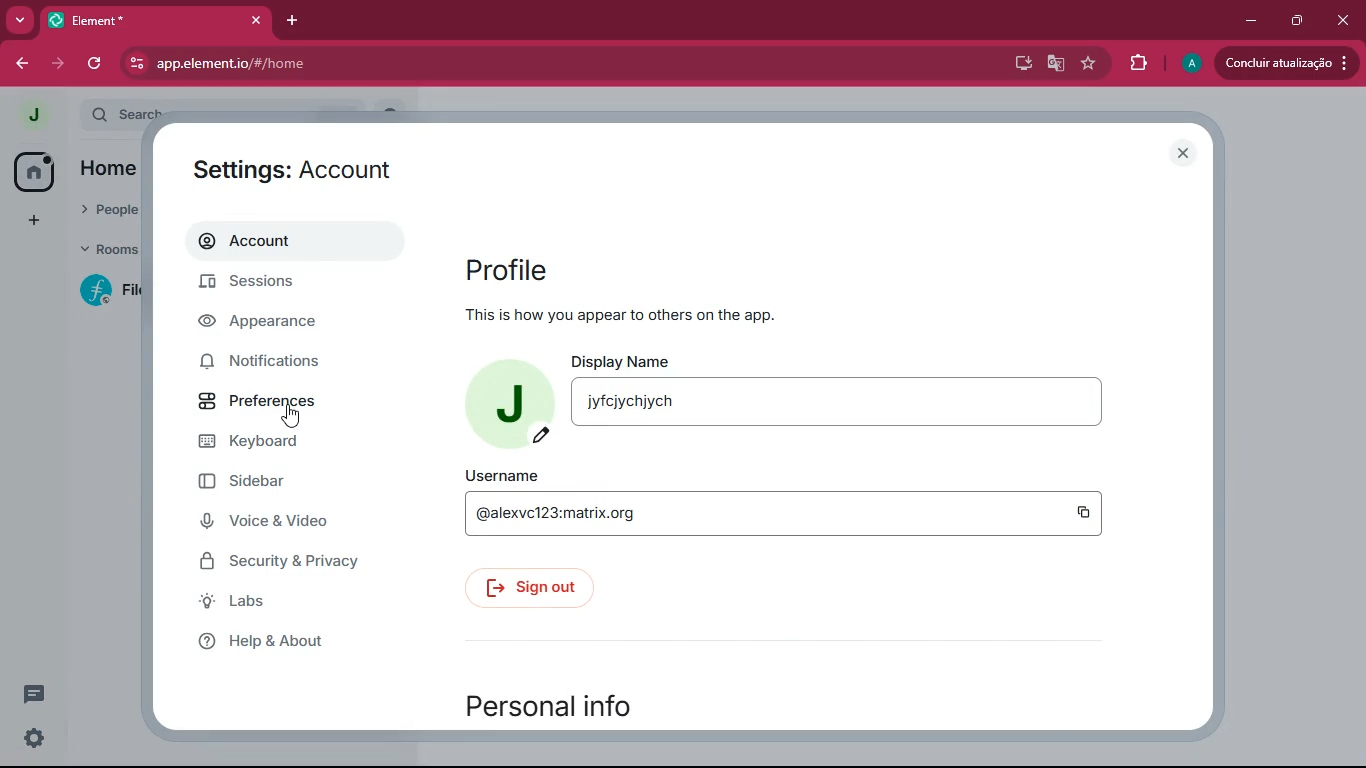 This screenshot has width=1366, height=768. What do you see at coordinates (505, 399) in the screenshot?
I see `profile picture` at bounding box center [505, 399].